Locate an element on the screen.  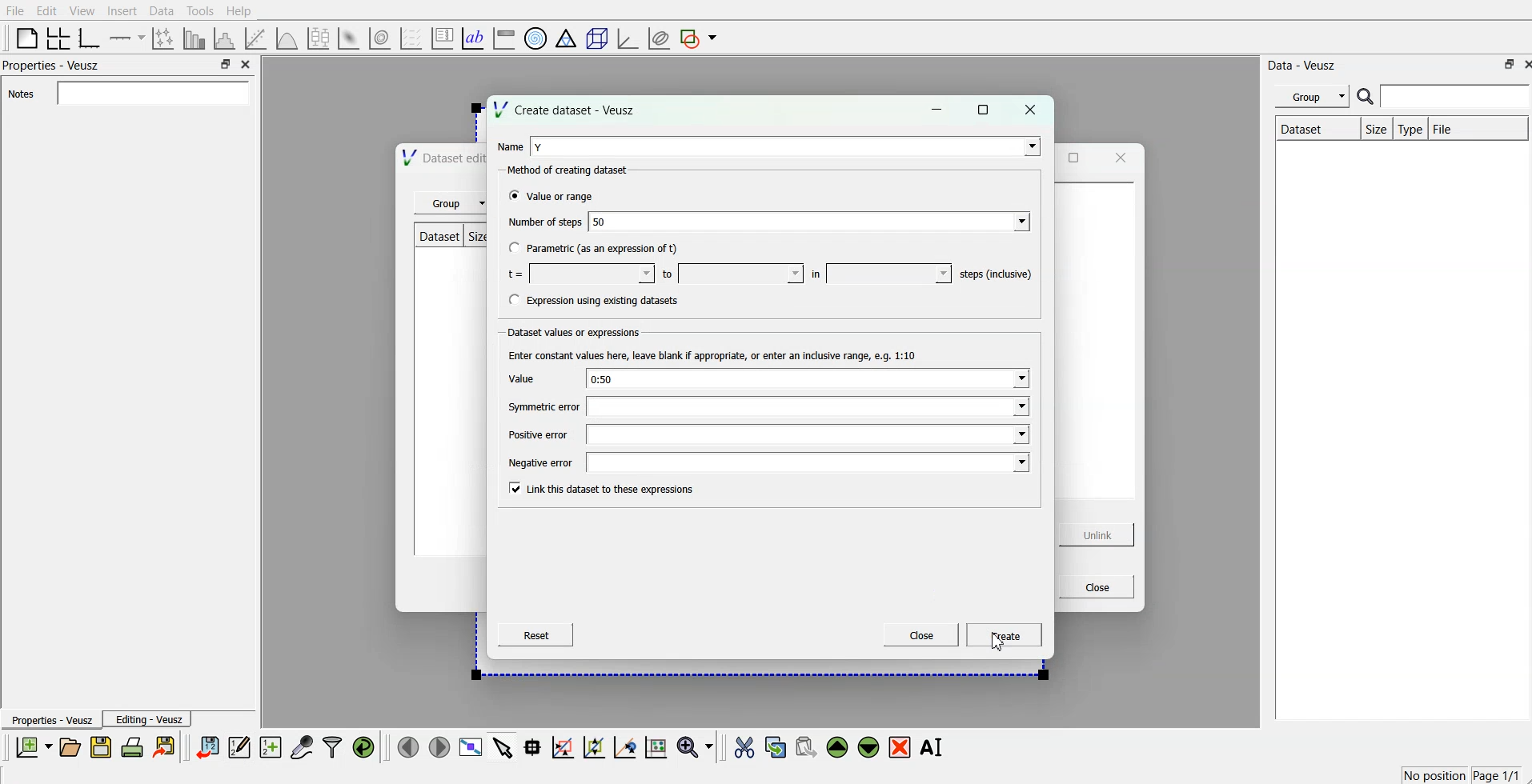
ternary graph is located at coordinates (566, 37).